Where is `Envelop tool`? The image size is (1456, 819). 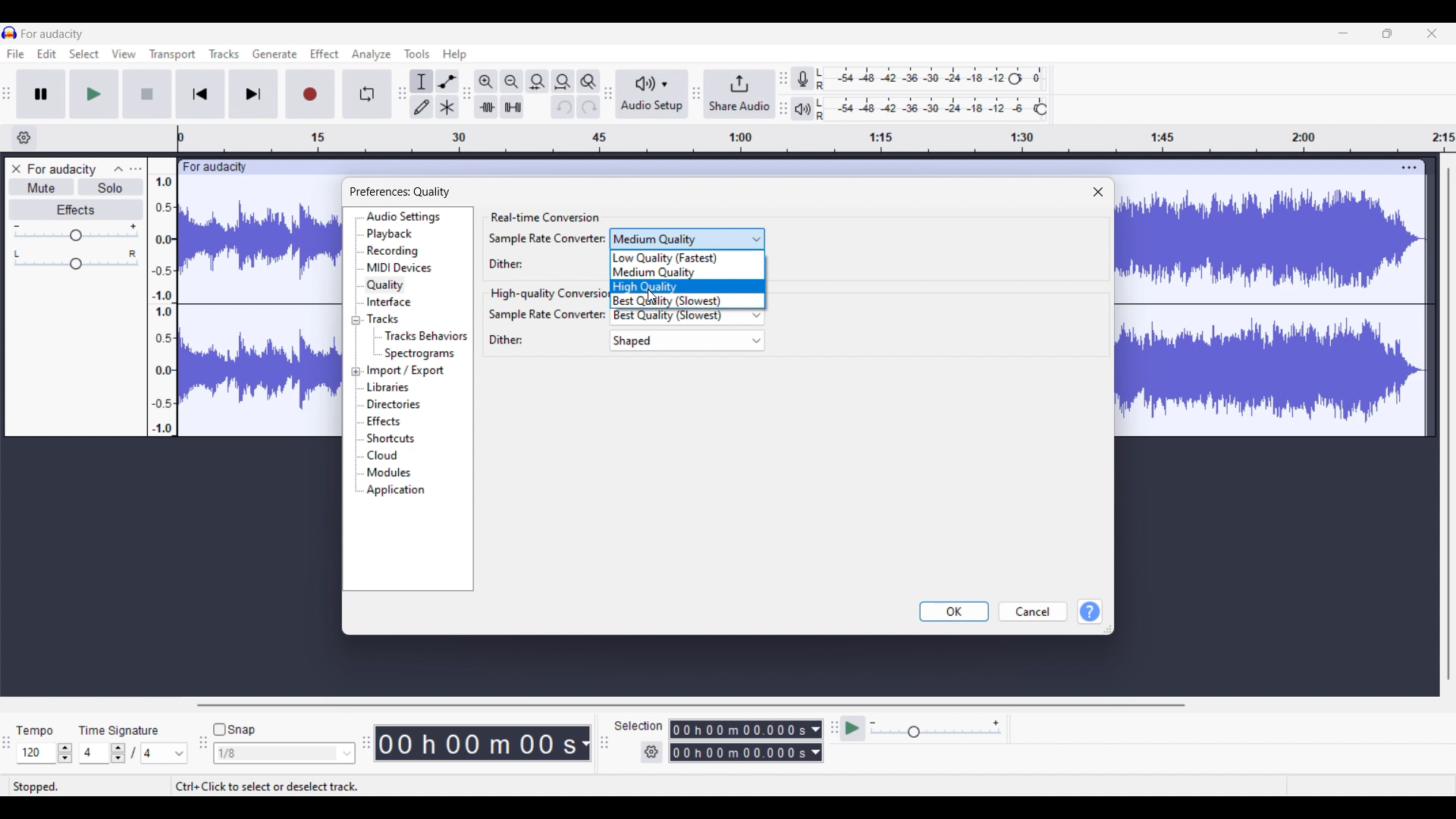 Envelop tool is located at coordinates (448, 81).